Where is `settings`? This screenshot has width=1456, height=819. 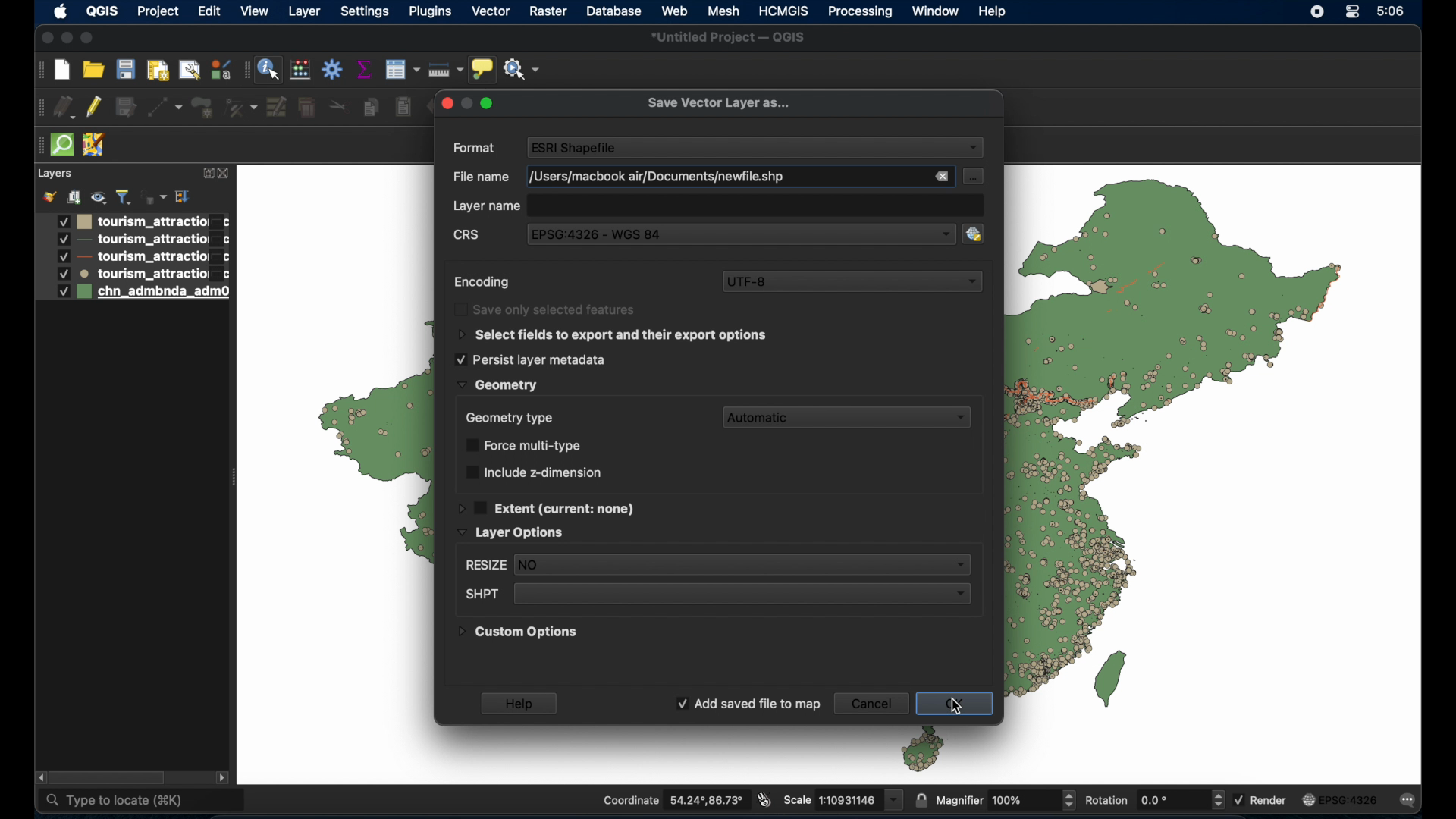 settings is located at coordinates (364, 13).